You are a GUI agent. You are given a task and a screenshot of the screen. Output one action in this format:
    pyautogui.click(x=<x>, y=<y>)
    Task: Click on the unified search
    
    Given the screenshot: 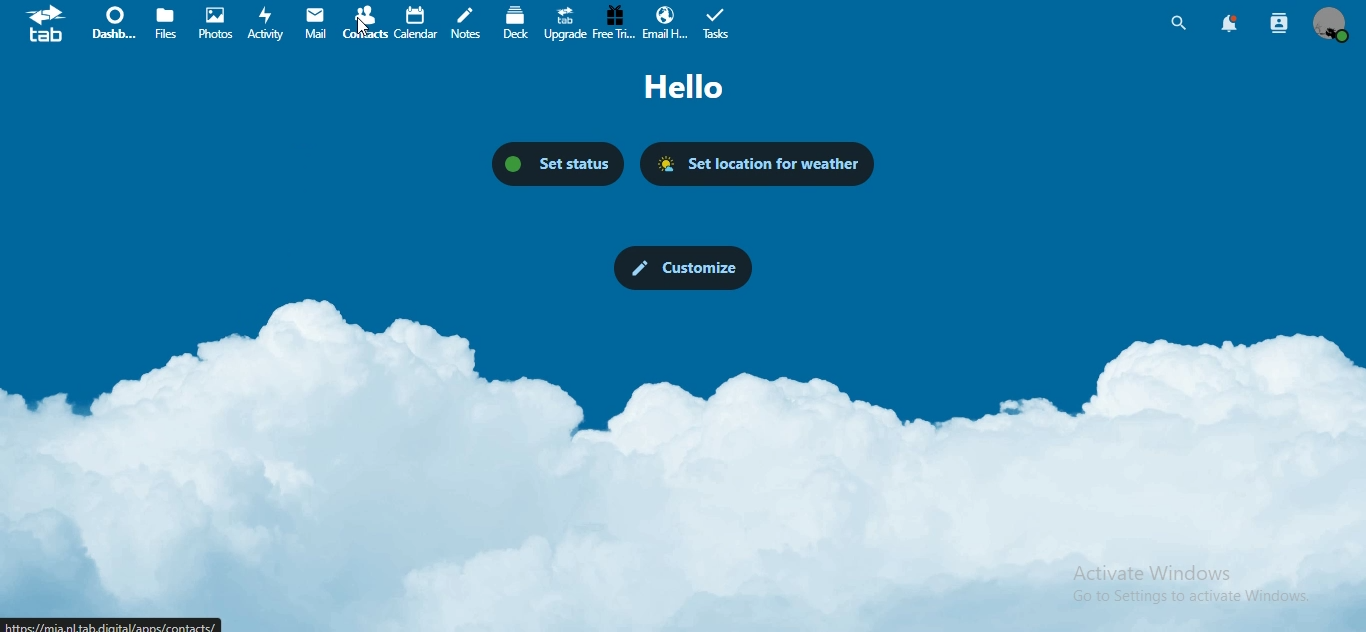 What is the action you would take?
    pyautogui.click(x=1178, y=26)
    